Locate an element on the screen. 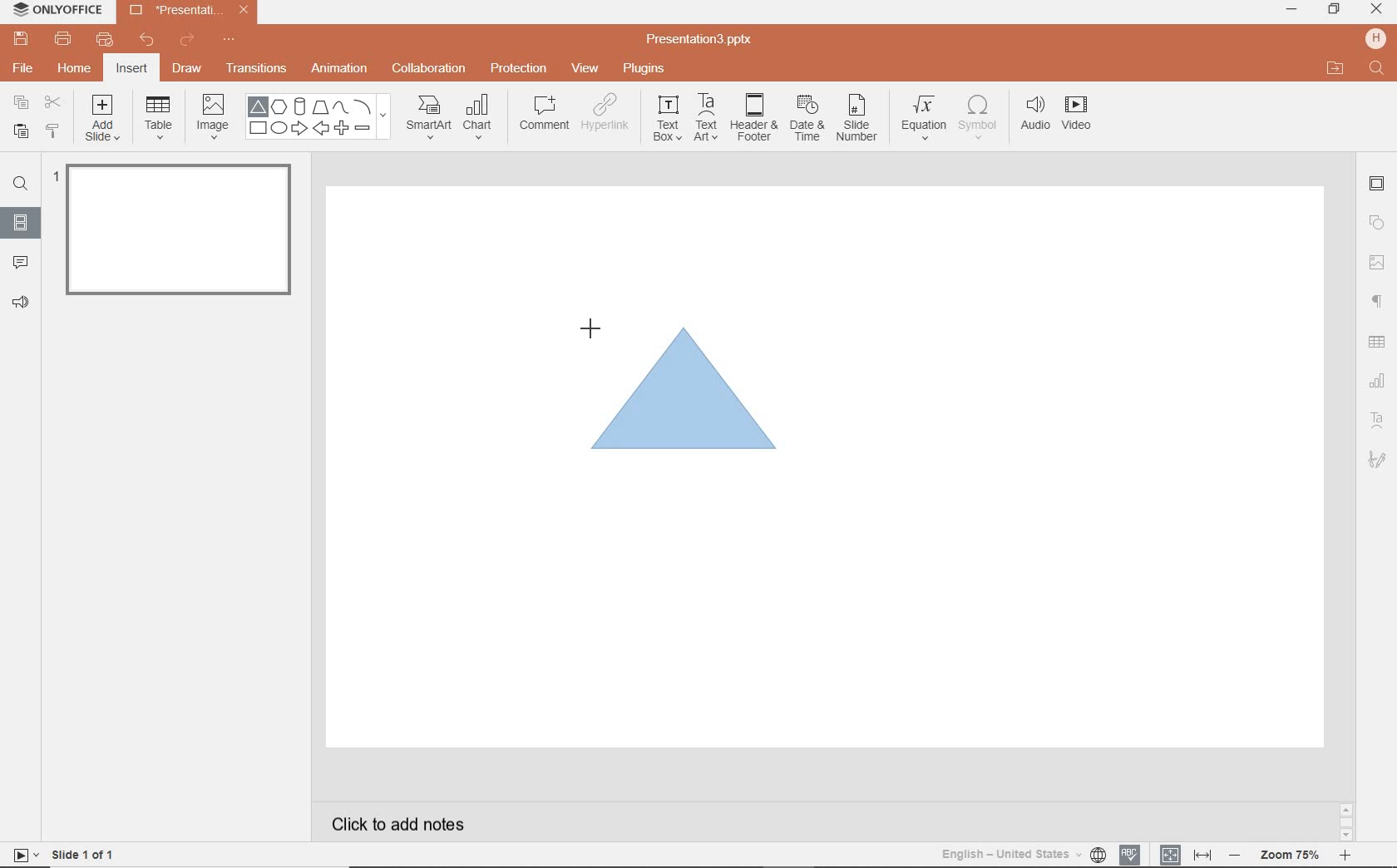  FILE is located at coordinates (25, 66).